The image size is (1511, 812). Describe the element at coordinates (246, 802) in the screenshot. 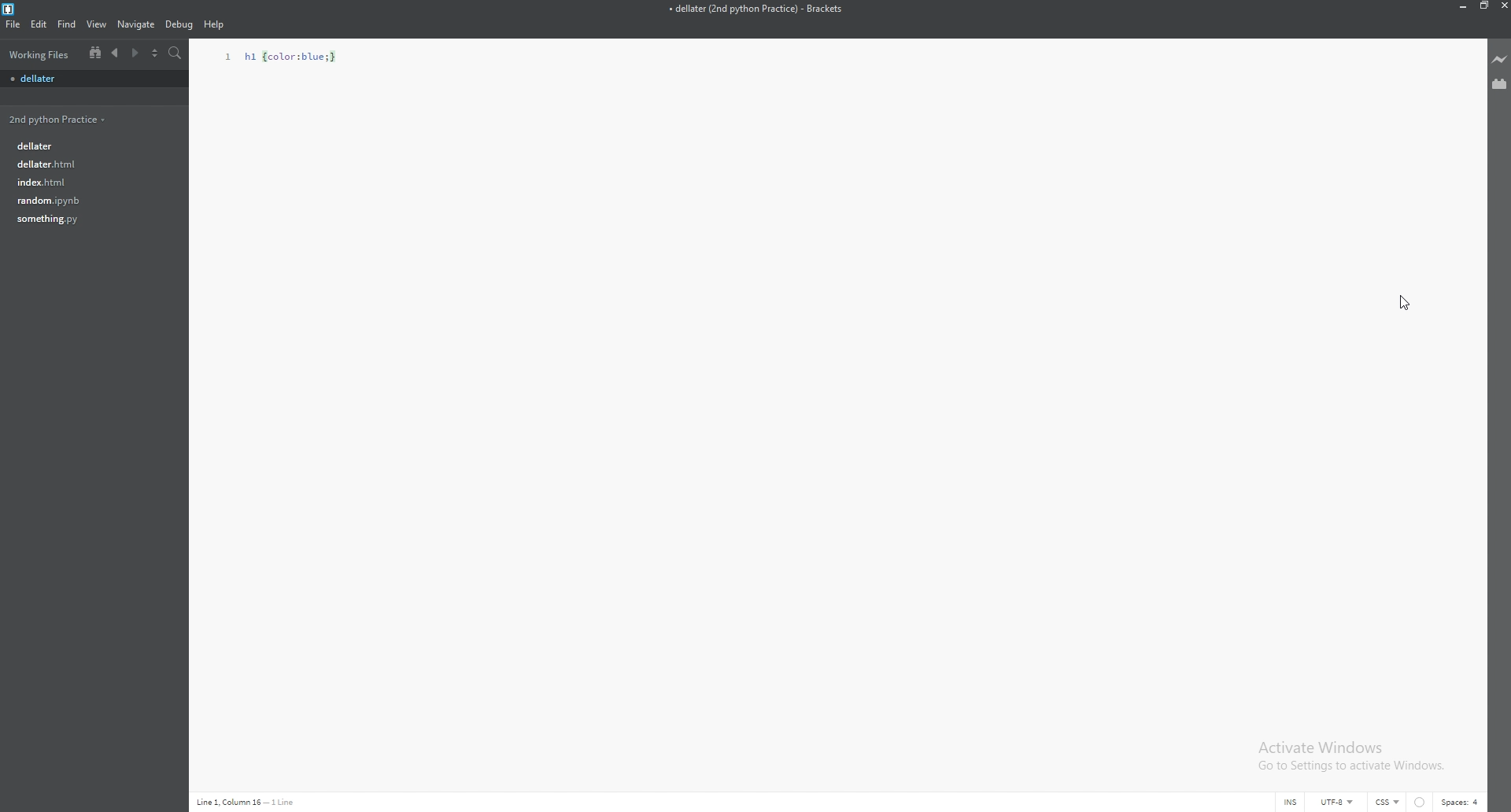

I see `description` at that location.